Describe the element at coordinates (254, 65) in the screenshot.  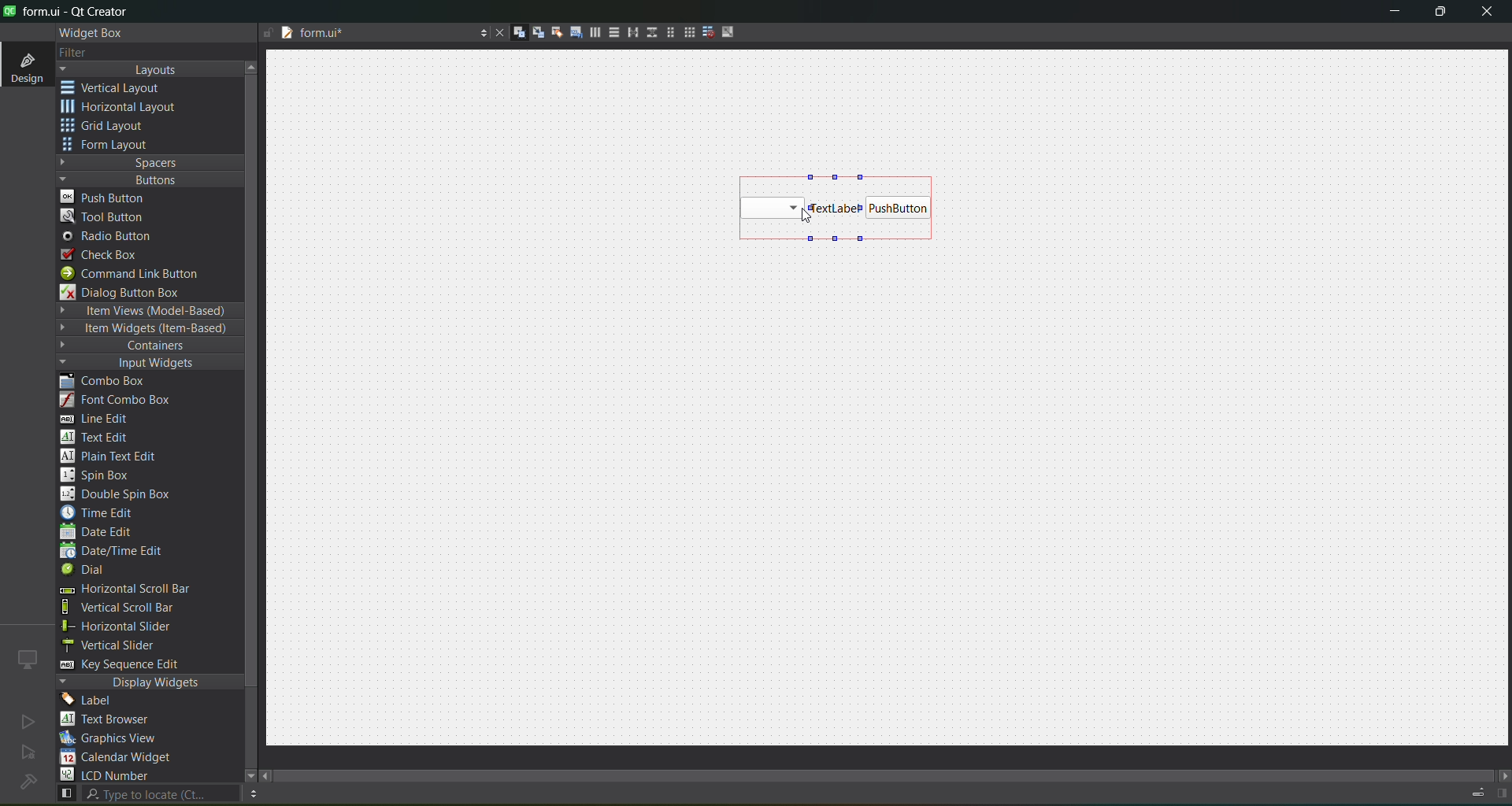
I see `move up` at that location.